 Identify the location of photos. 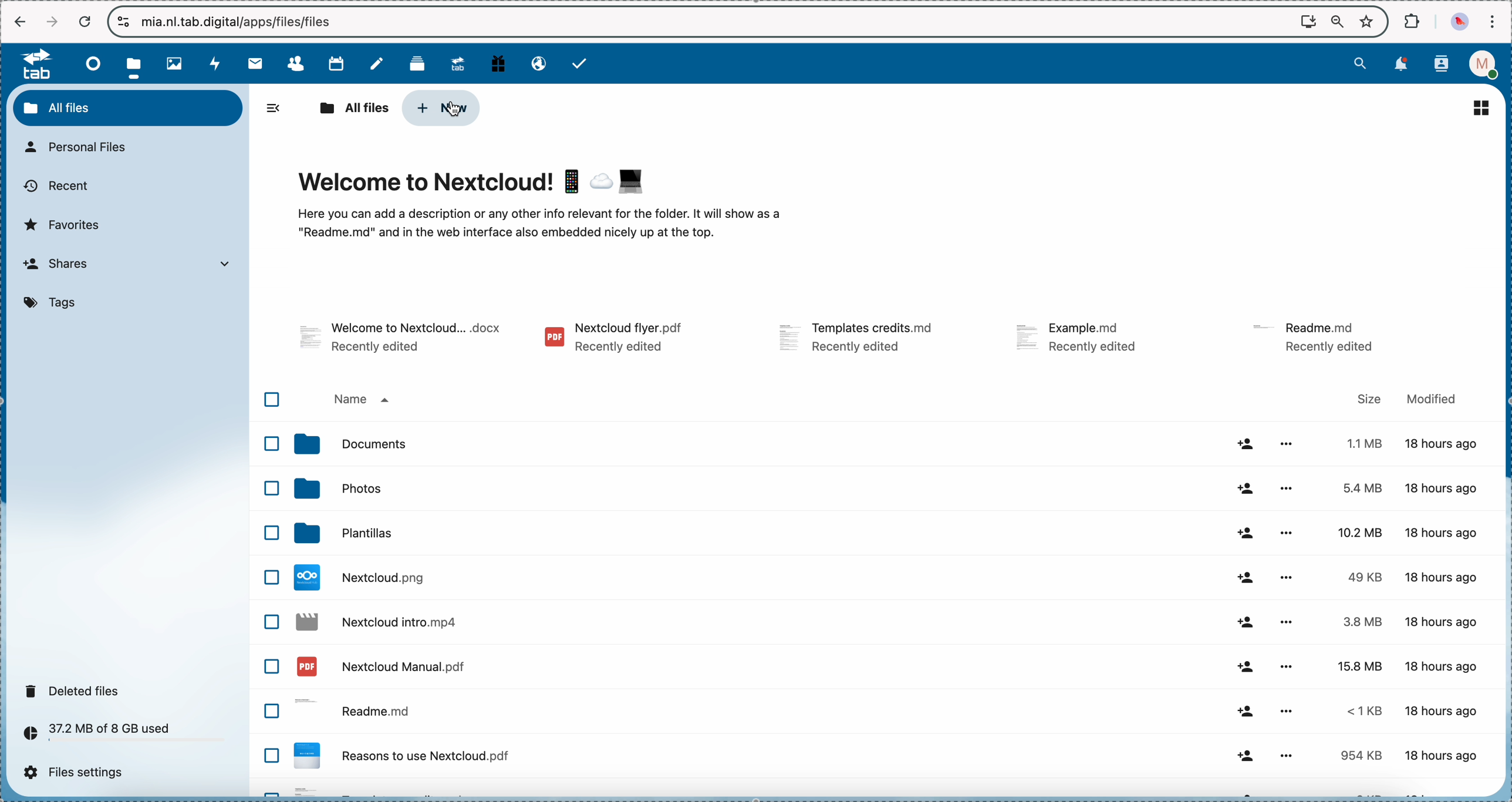
(178, 64).